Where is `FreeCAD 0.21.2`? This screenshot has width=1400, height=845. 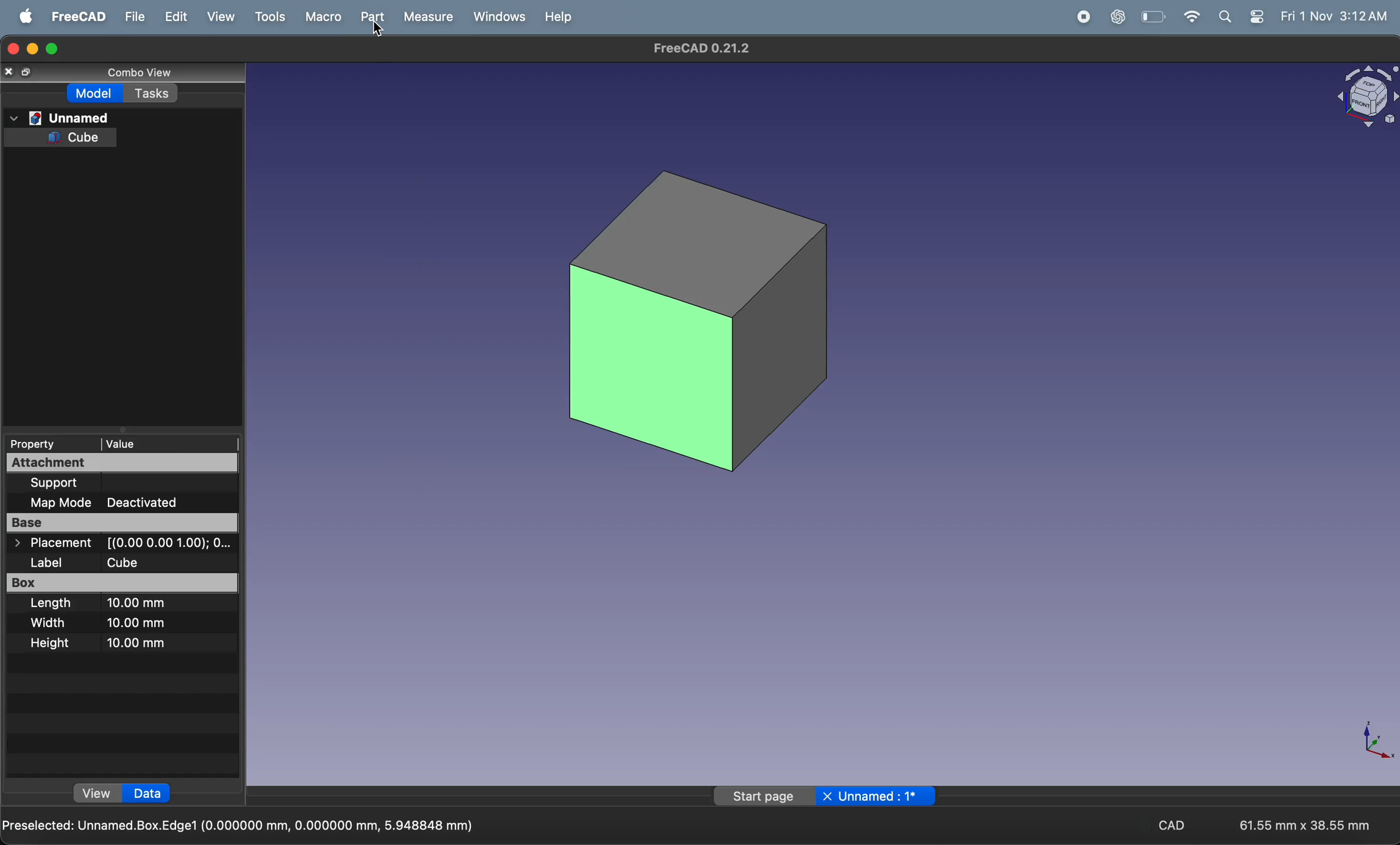 FreeCAD 0.21.2 is located at coordinates (697, 48).